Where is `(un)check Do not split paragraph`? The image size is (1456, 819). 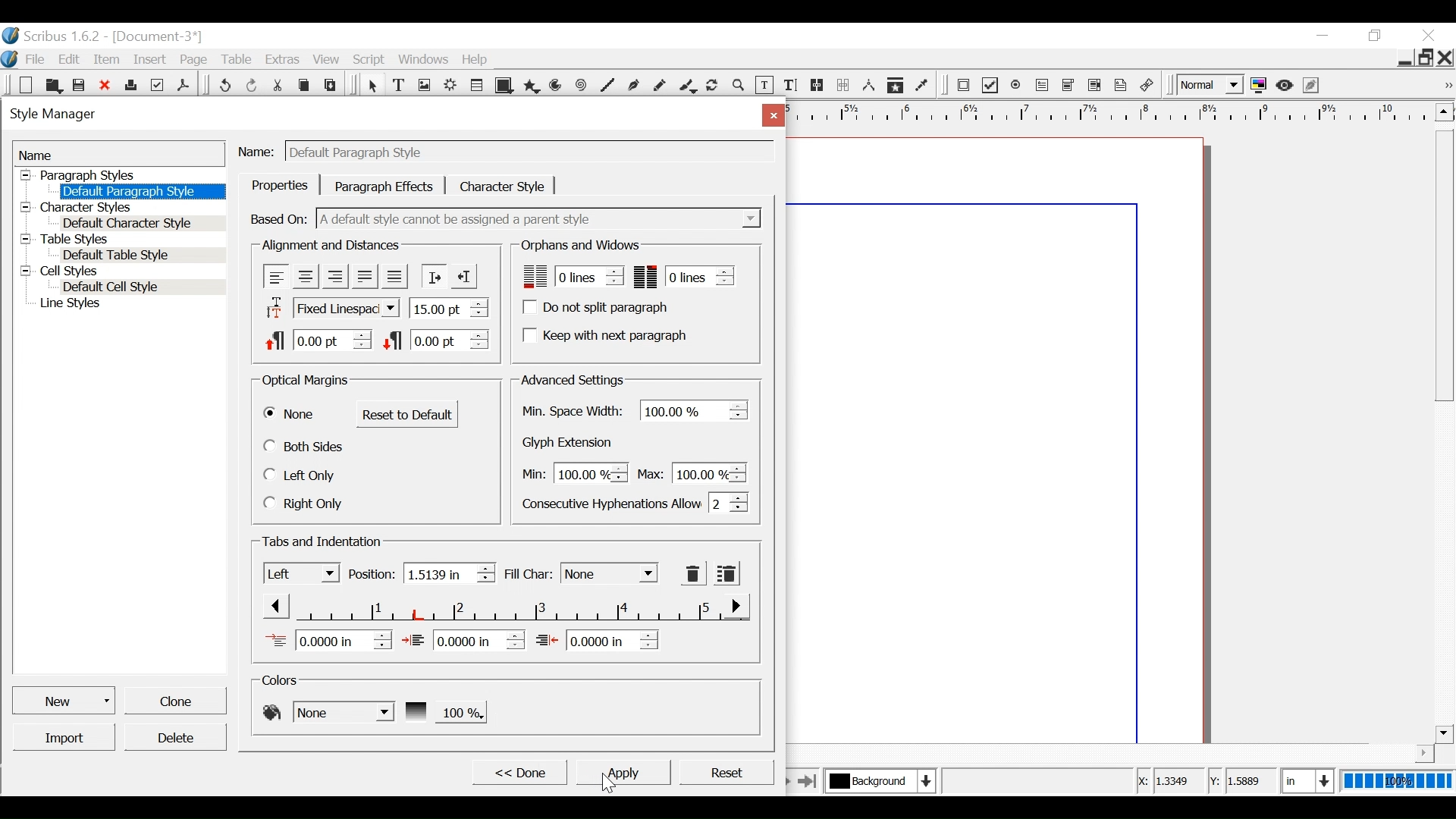 (un)check Do not split paragraph is located at coordinates (598, 307).